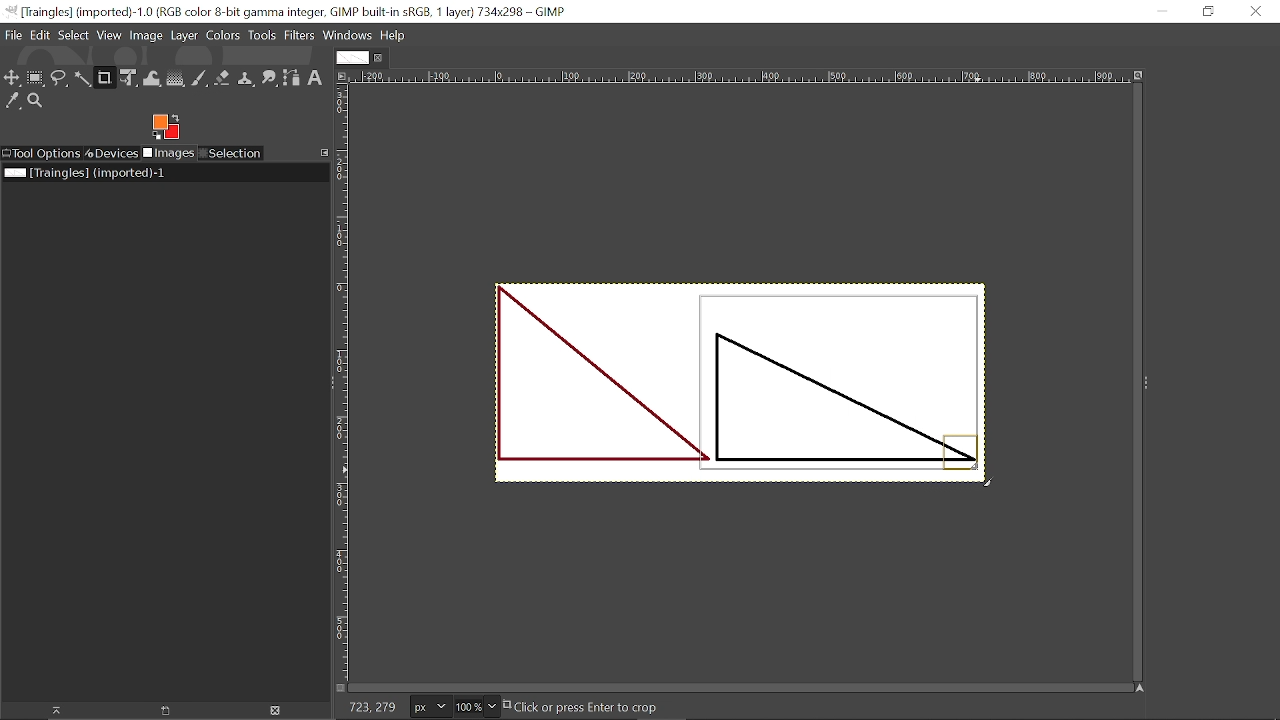 This screenshot has width=1280, height=720. What do you see at coordinates (13, 101) in the screenshot?
I see `Color picker tool` at bounding box center [13, 101].